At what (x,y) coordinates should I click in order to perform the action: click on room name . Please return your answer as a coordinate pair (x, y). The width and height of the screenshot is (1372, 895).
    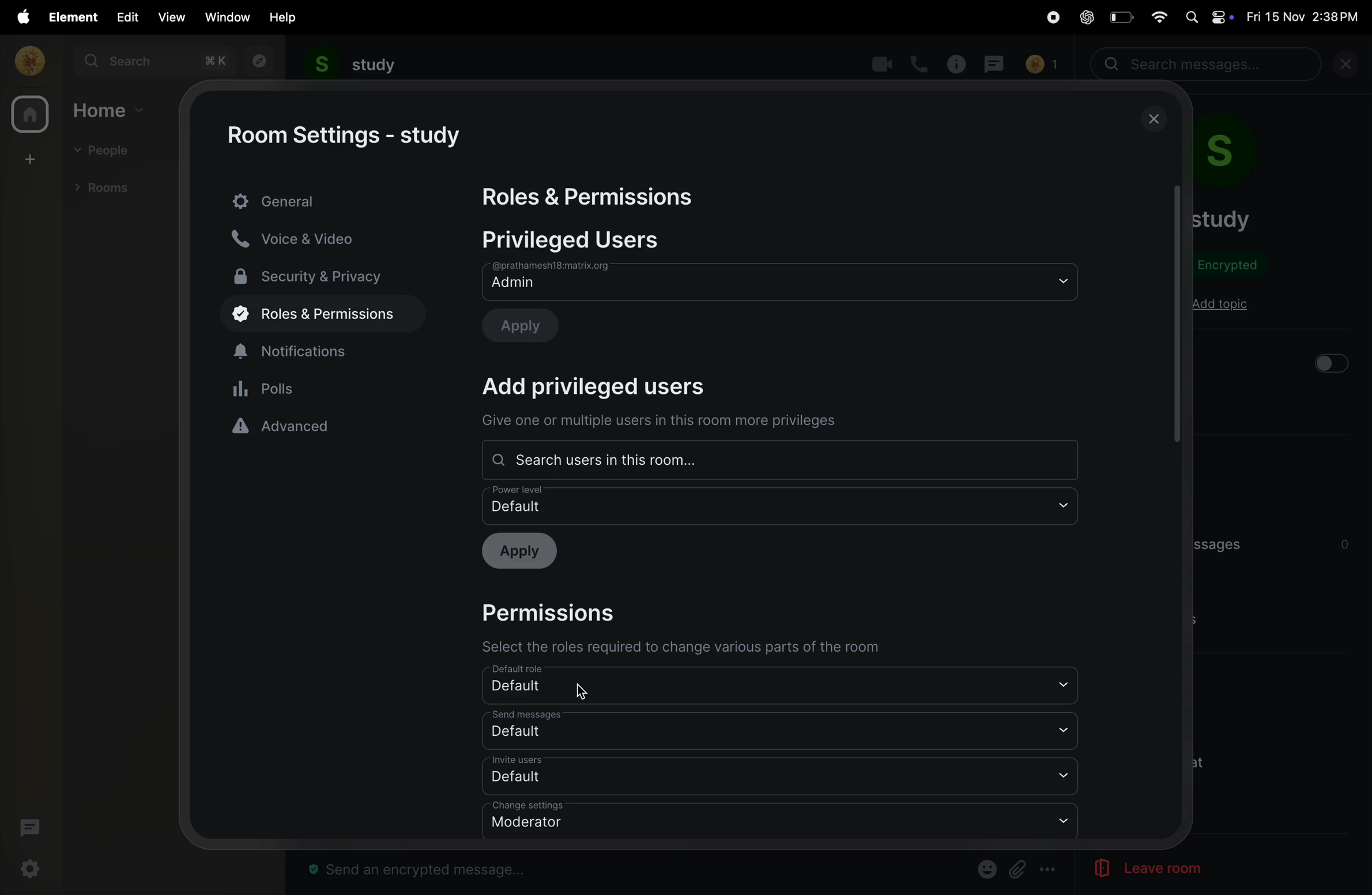
    Looking at the image, I should click on (1222, 219).